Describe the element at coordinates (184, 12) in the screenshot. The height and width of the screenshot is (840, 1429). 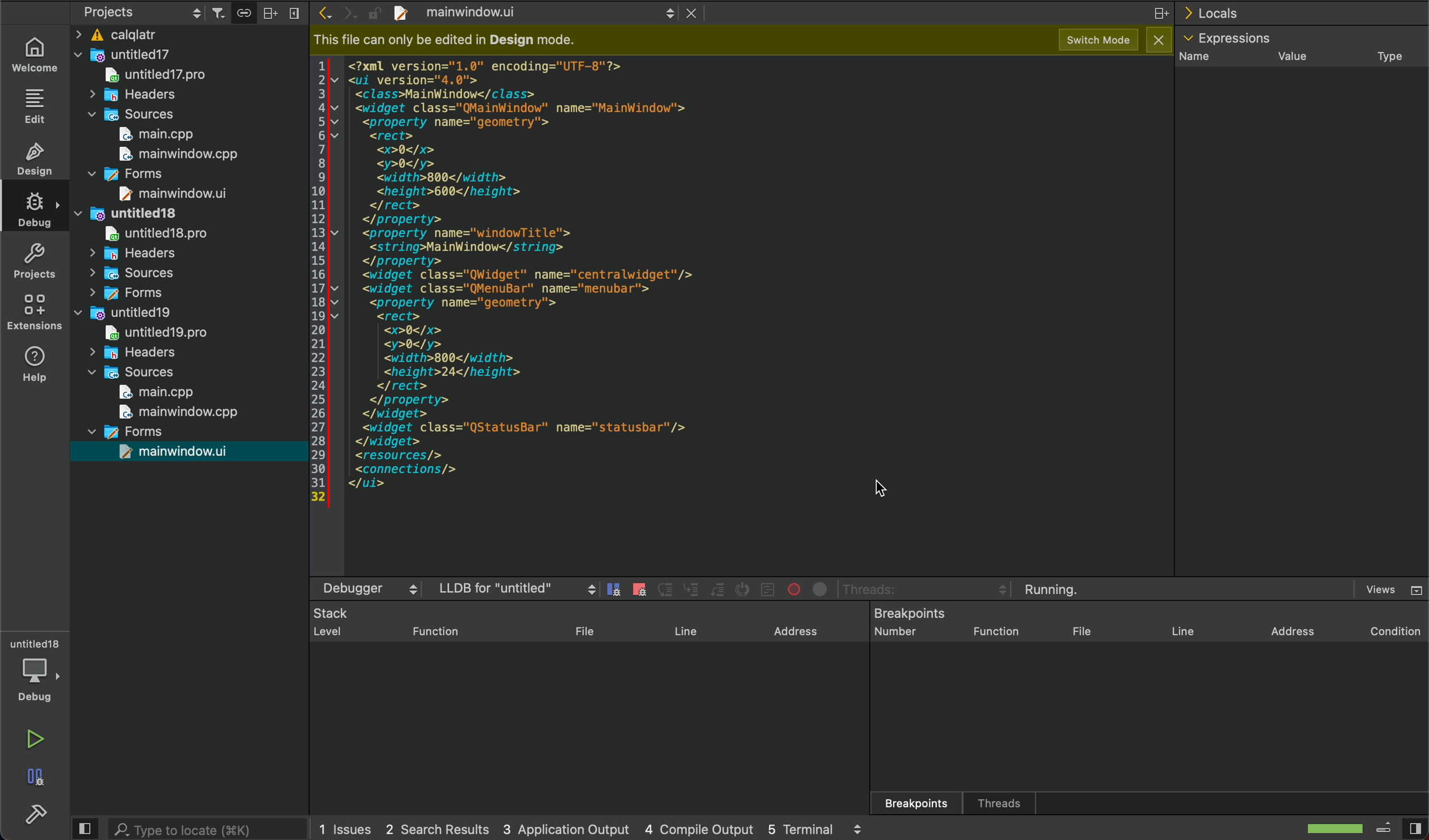
I see `project settings` at that location.